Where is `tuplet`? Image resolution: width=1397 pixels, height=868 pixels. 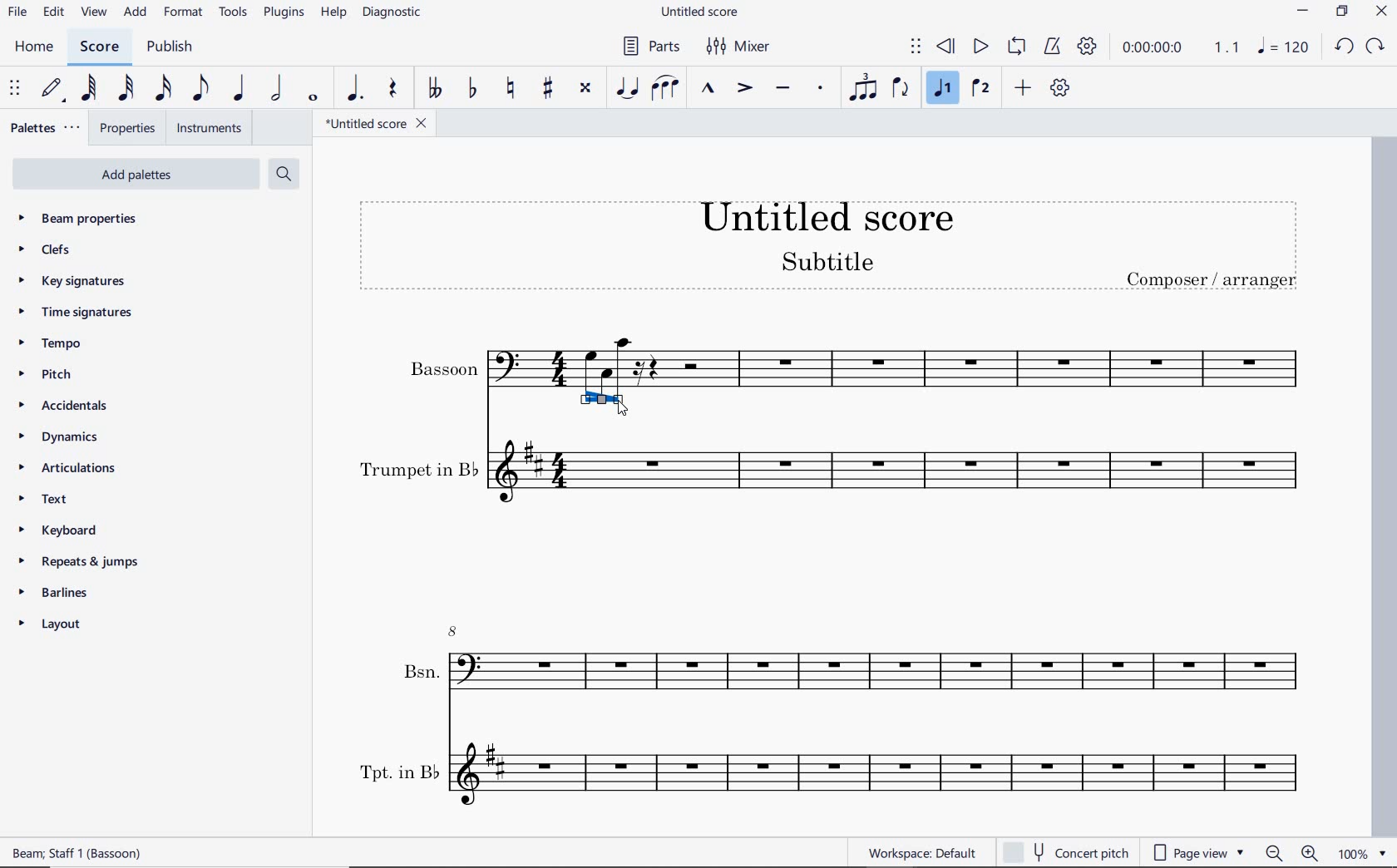
tuplet is located at coordinates (864, 86).